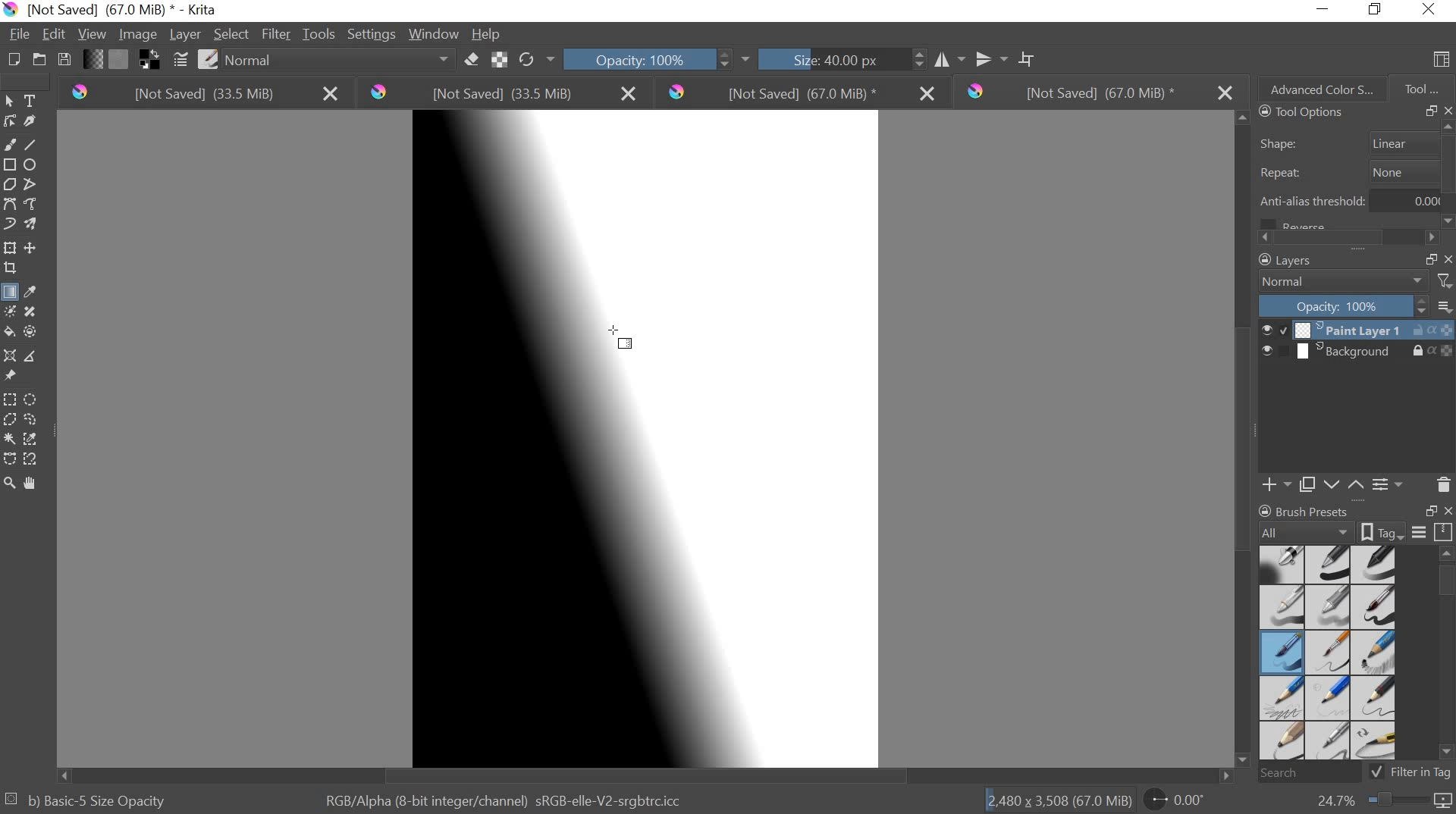  I want to click on FILE, so click(18, 34).